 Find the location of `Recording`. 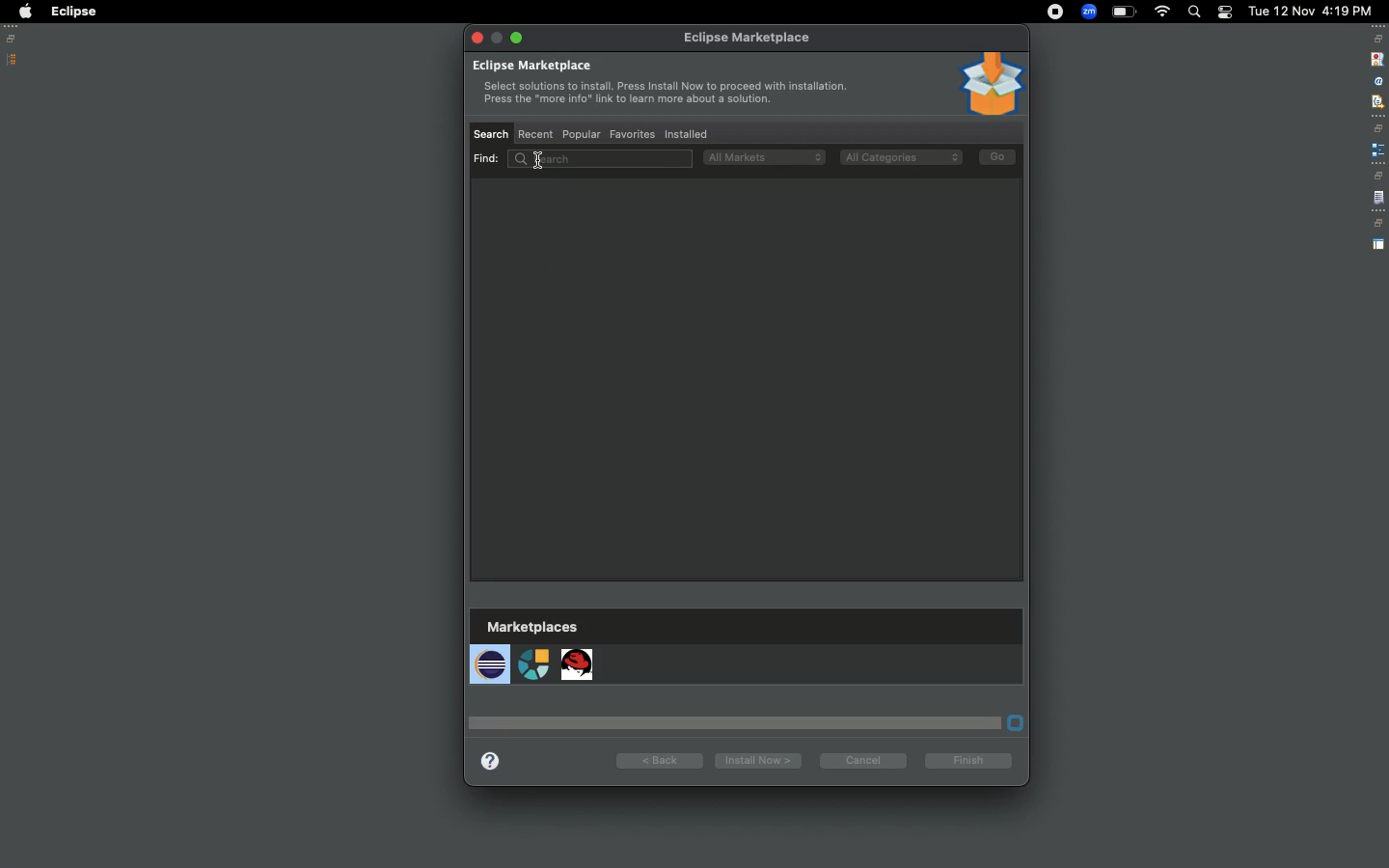

Recording is located at coordinates (1055, 14).